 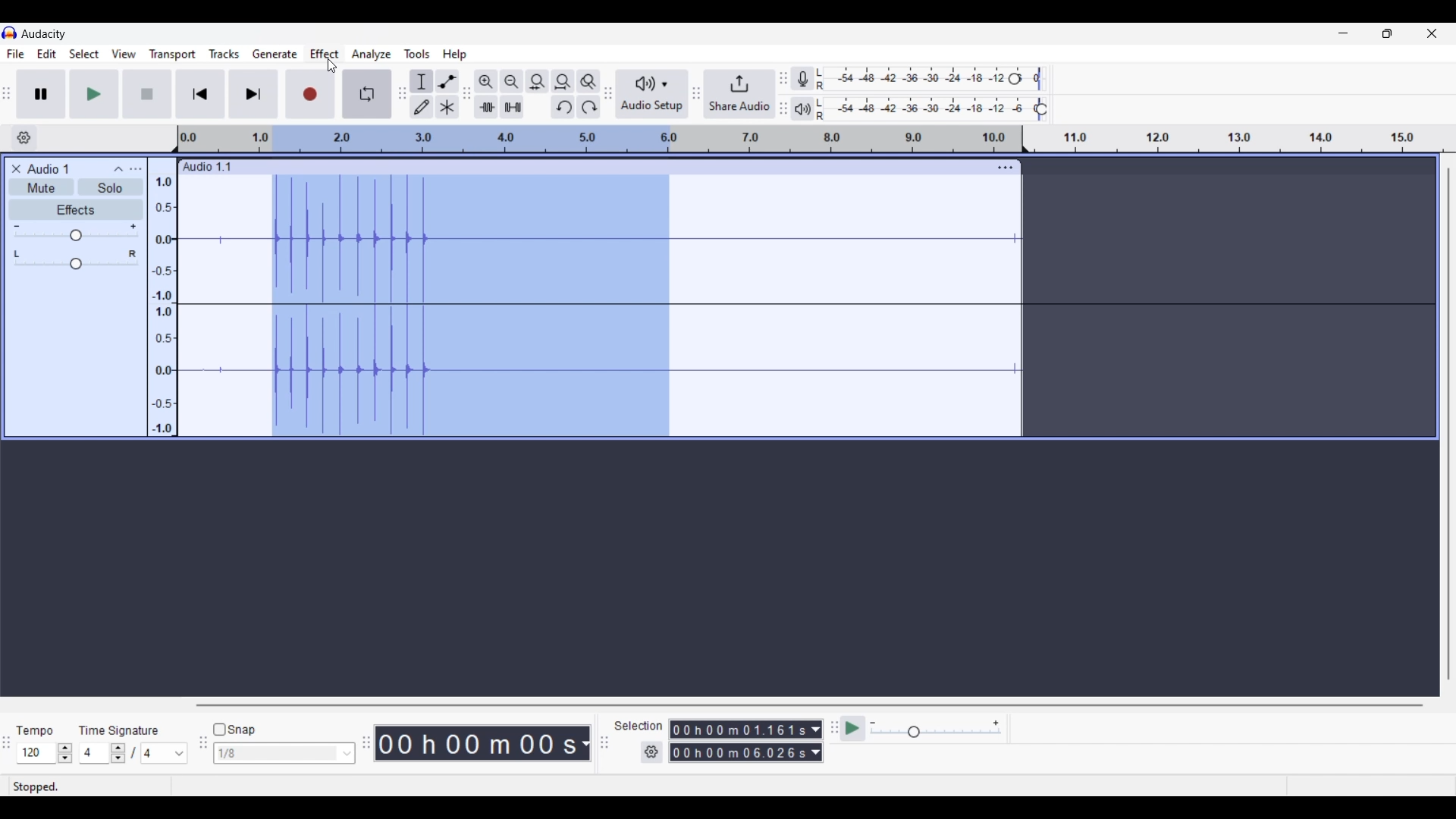 I want to click on Close, so click(x=16, y=169).